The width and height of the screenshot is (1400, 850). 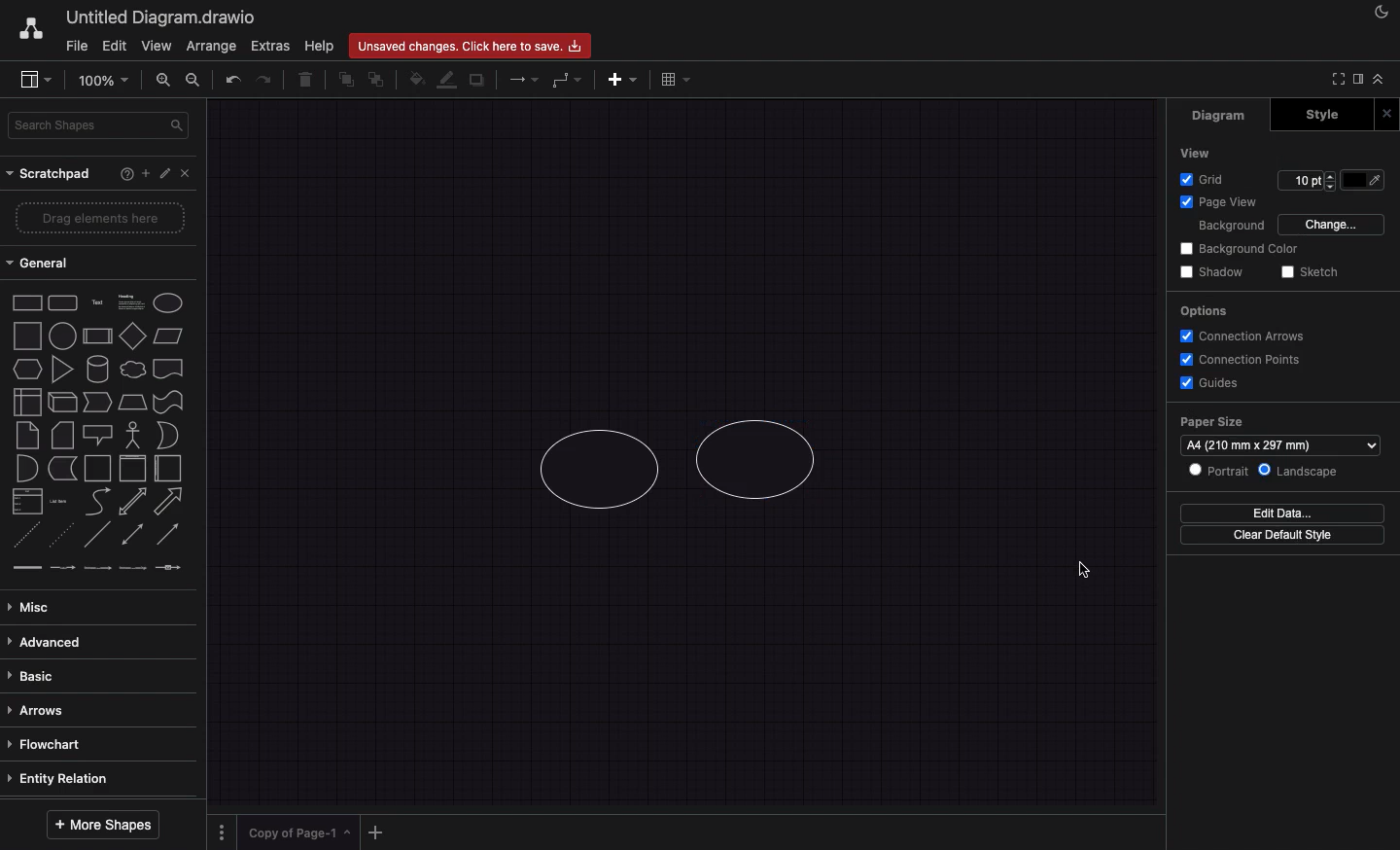 I want to click on collapse/expand, so click(x=1378, y=81).